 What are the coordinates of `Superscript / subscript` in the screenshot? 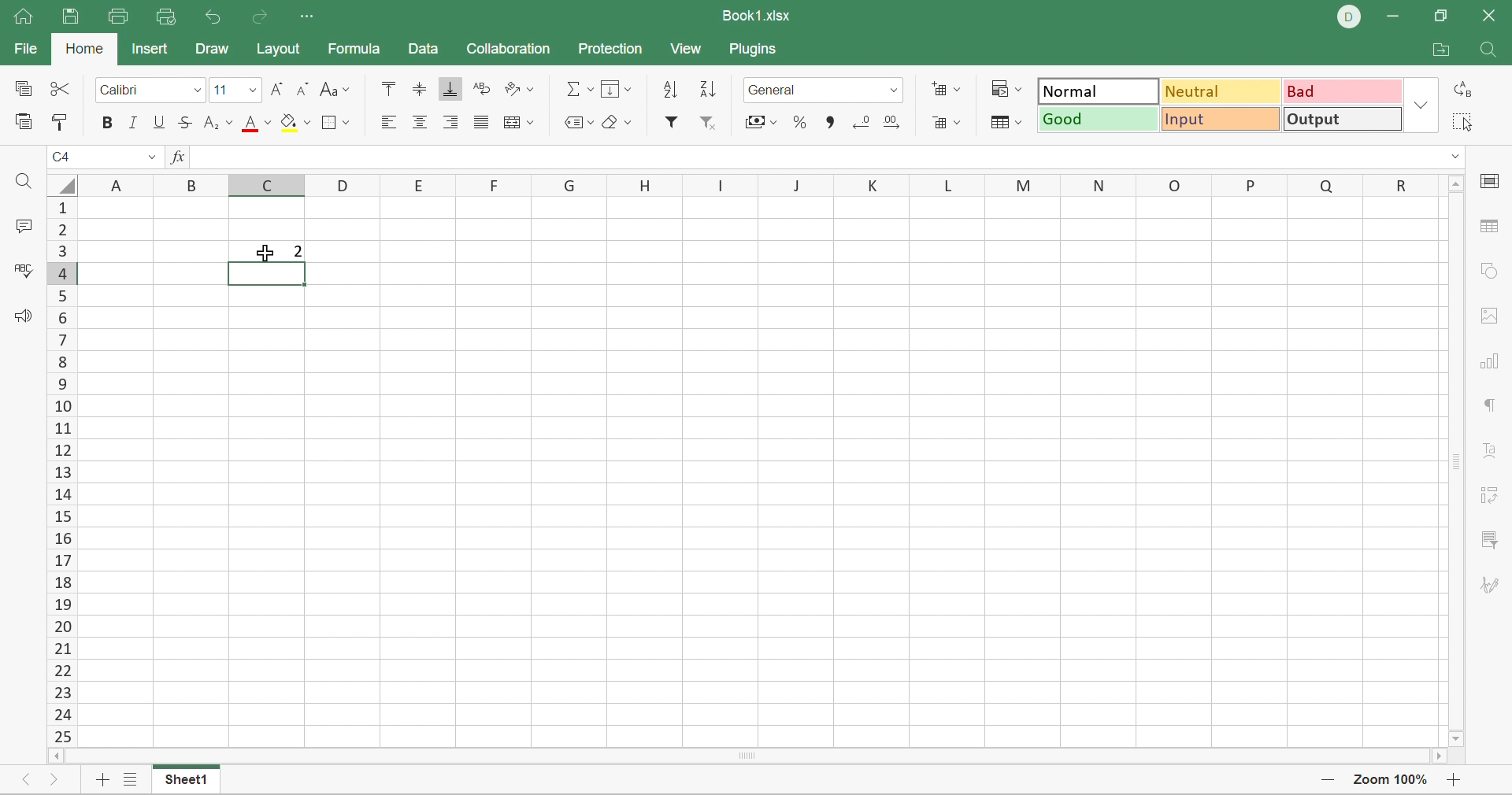 It's located at (217, 124).